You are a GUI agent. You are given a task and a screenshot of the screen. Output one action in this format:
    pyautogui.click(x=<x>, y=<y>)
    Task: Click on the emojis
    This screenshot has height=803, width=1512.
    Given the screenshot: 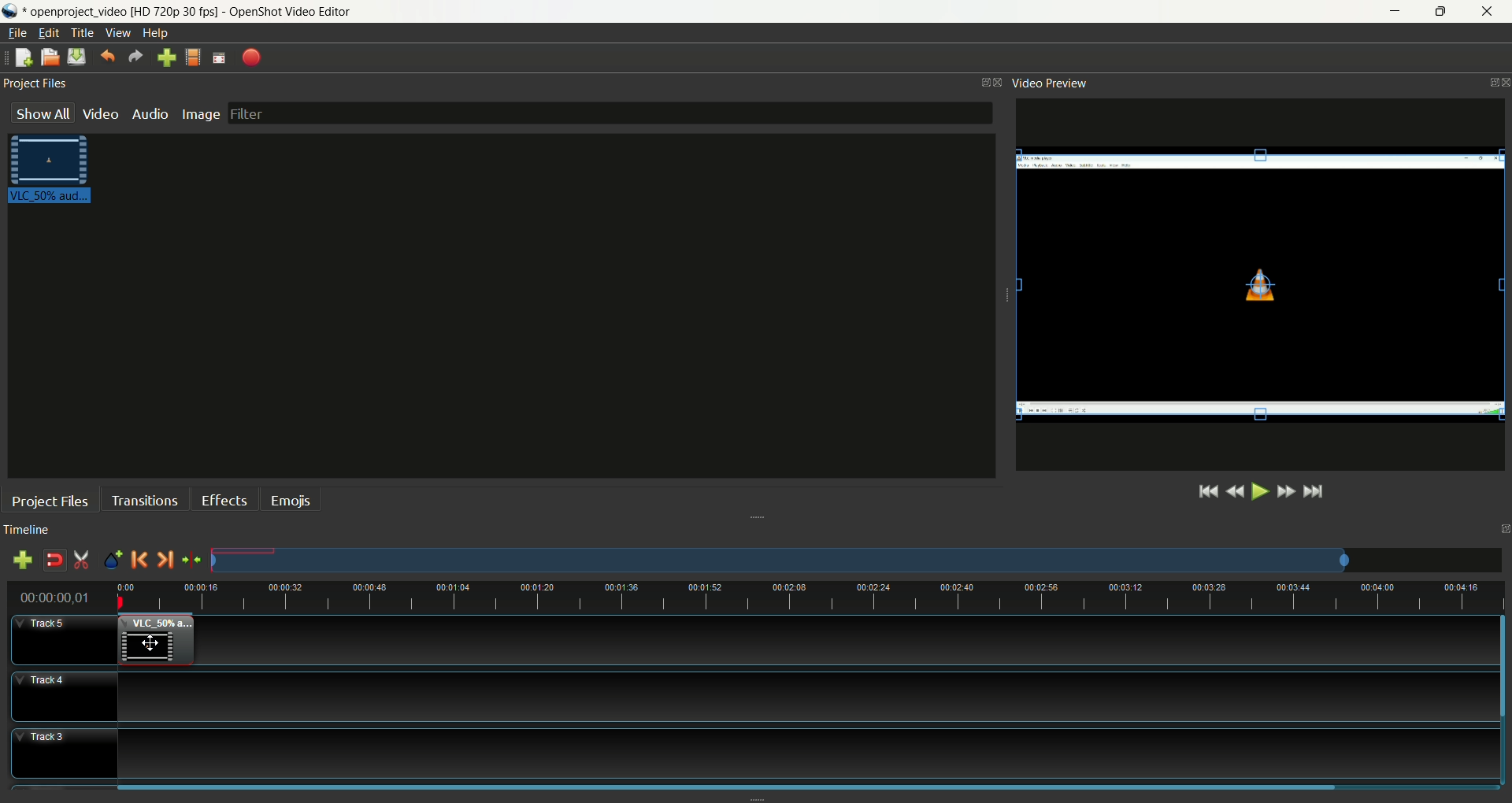 What is the action you would take?
    pyautogui.click(x=291, y=498)
    